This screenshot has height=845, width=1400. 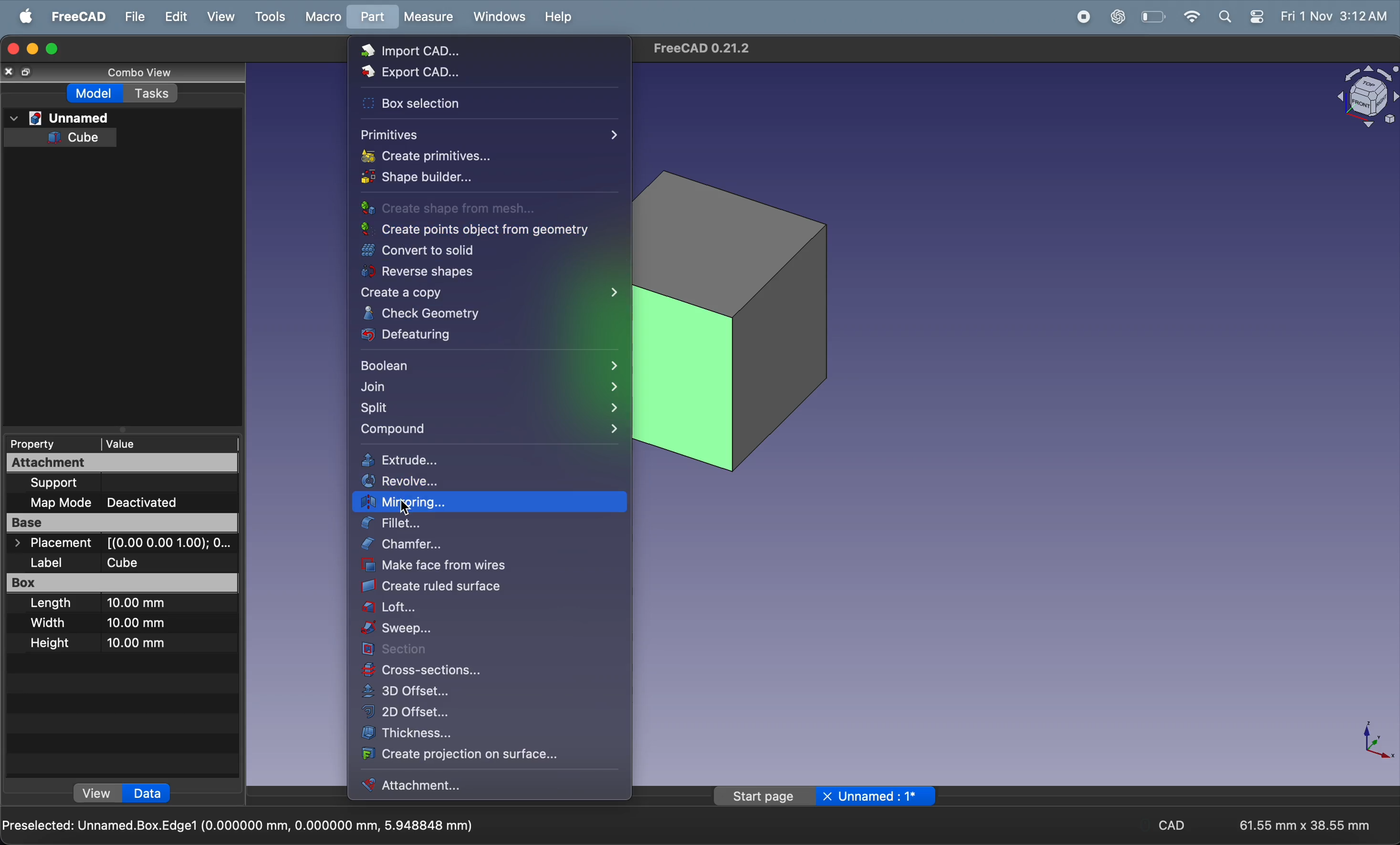 What do you see at coordinates (697, 48) in the screenshot?
I see `FreeCAD 0.21.2` at bounding box center [697, 48].